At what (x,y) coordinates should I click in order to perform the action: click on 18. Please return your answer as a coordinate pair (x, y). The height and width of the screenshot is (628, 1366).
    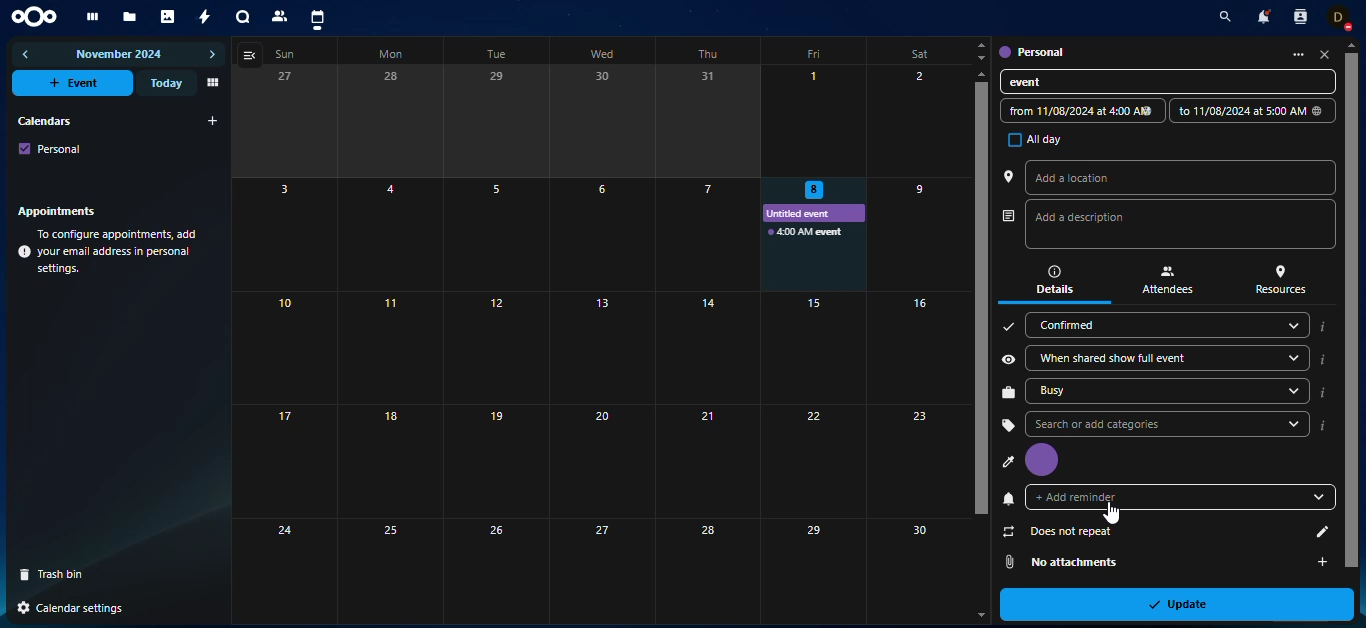
    Looking at the image, I should click on (387, 461).